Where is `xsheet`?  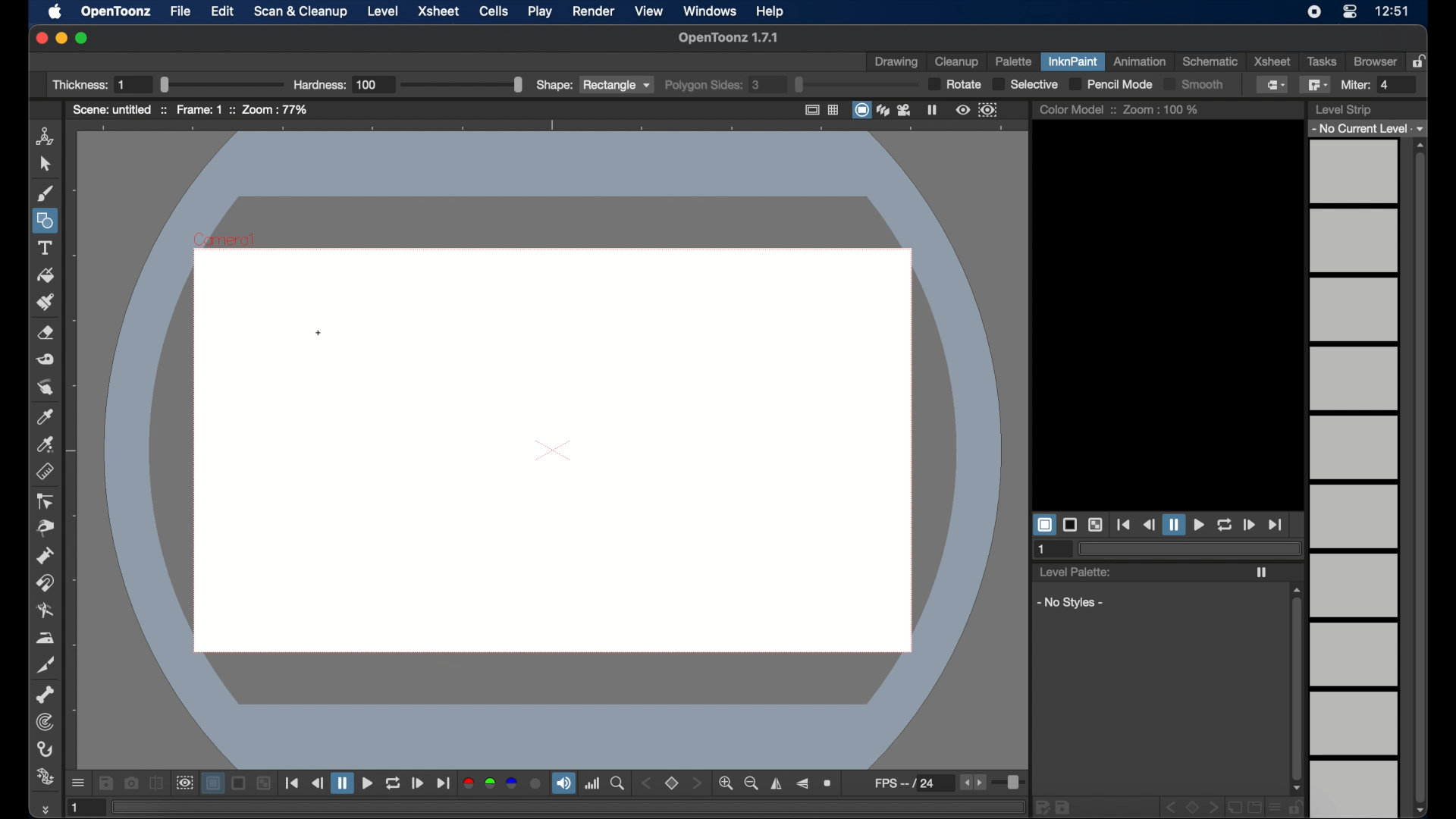 xsheet is located at coordinates (441, 12).